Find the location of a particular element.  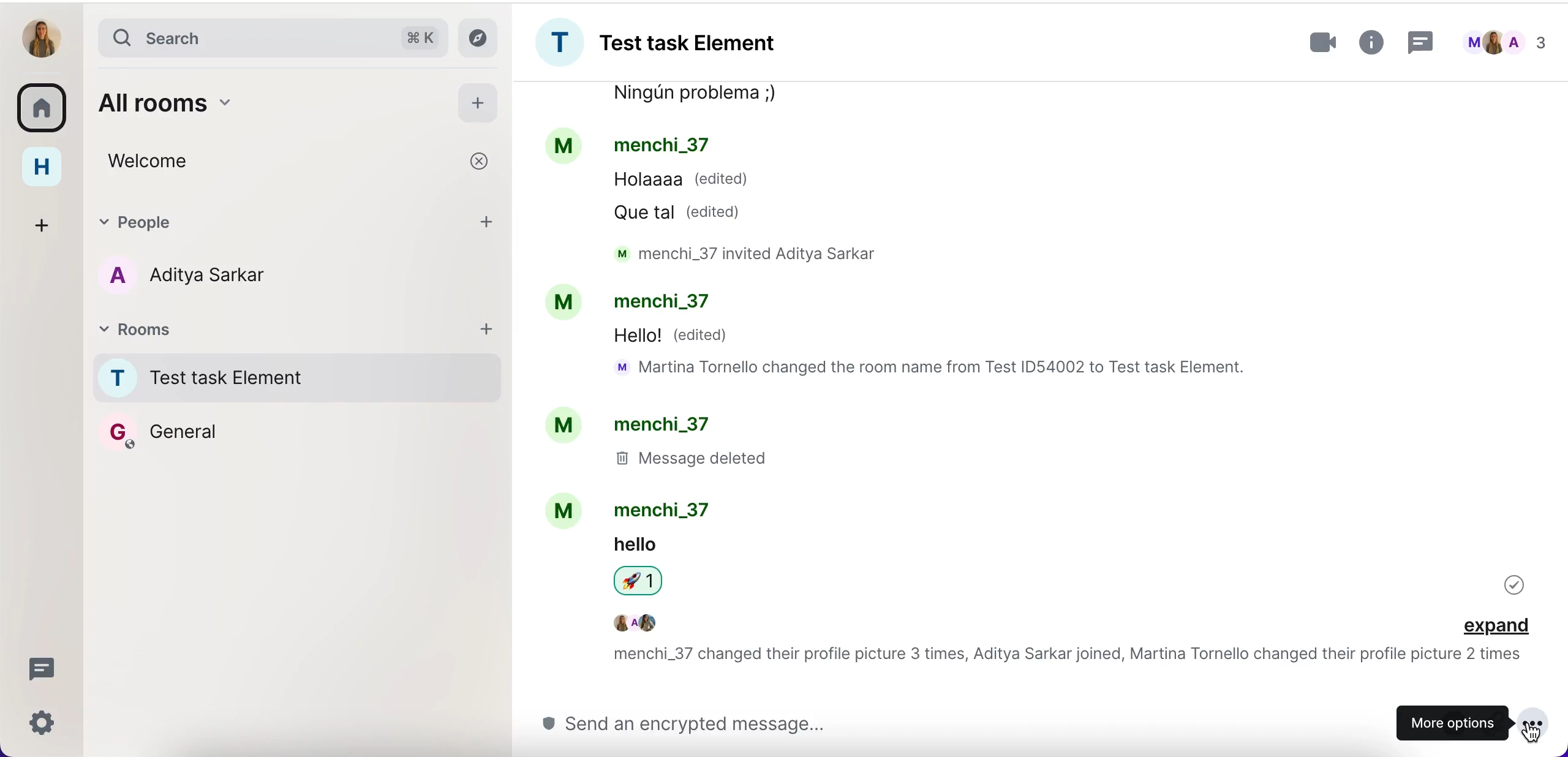

people is located at coordinates (273, 222).